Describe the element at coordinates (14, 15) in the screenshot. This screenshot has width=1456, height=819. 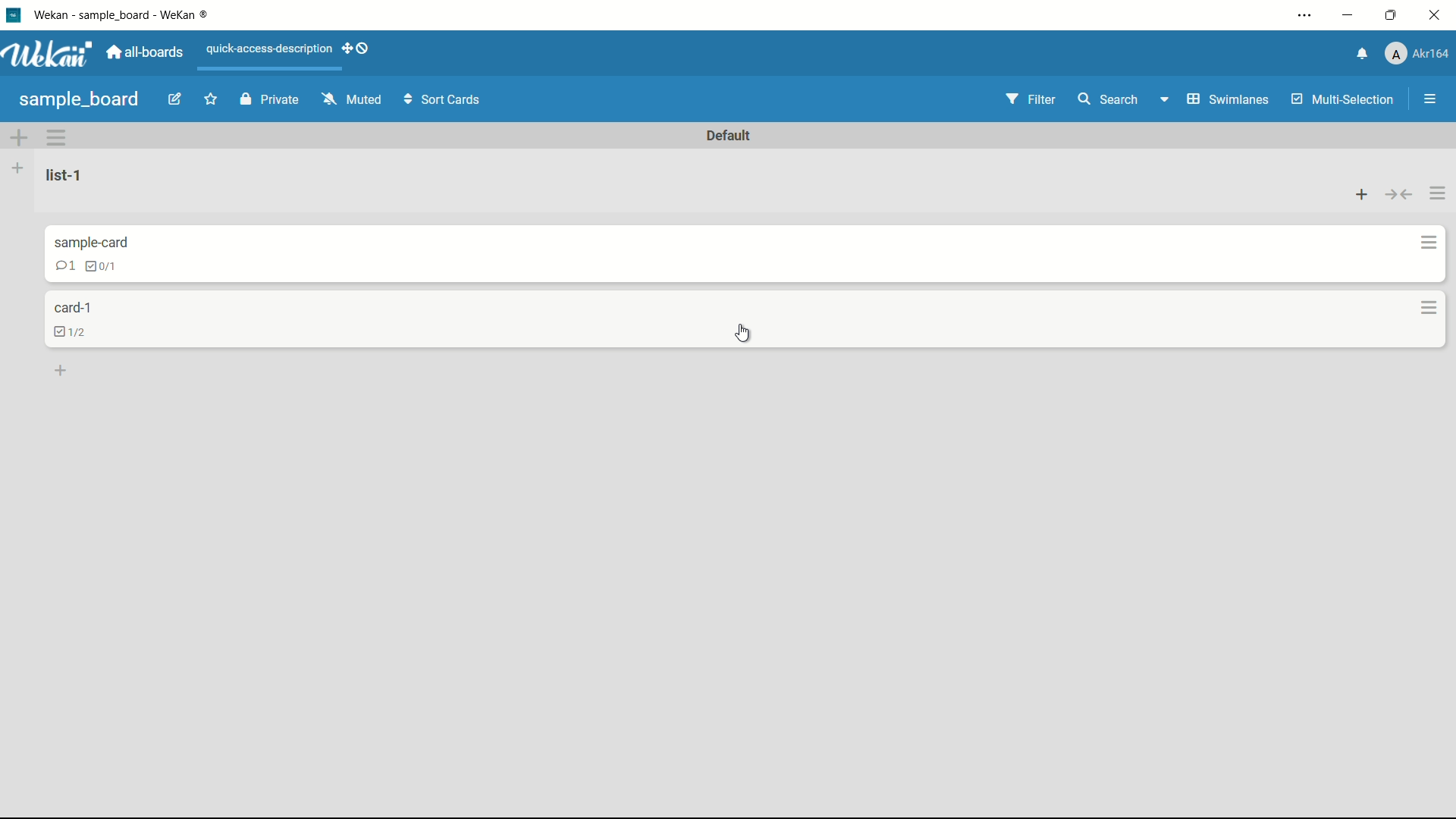
I see `wekan logo` at that location.